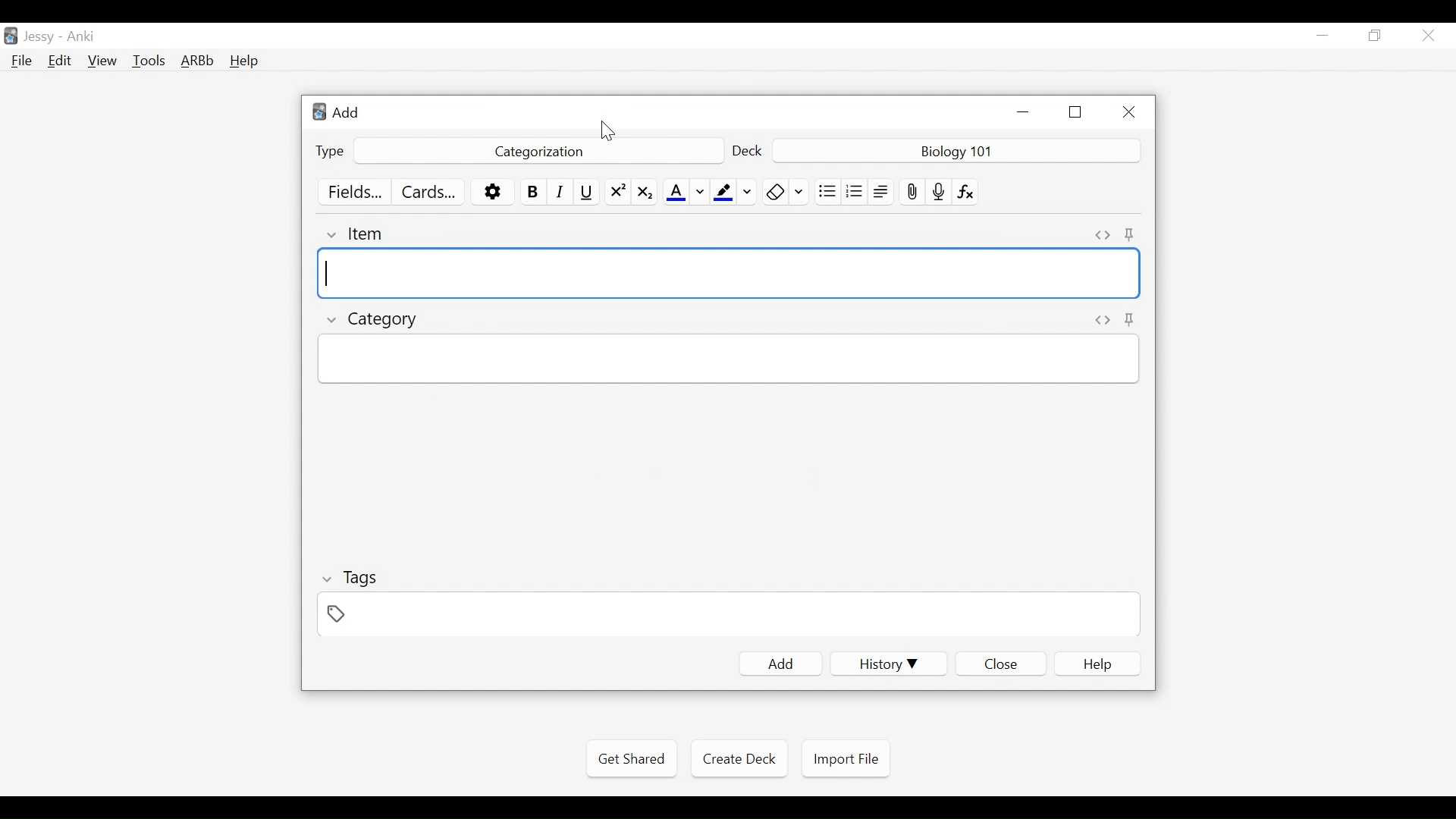  What do you see at coordinates (11, 36) in the screenshot?
I see `Anki Desktop icon` at bounding box center [11, 36].